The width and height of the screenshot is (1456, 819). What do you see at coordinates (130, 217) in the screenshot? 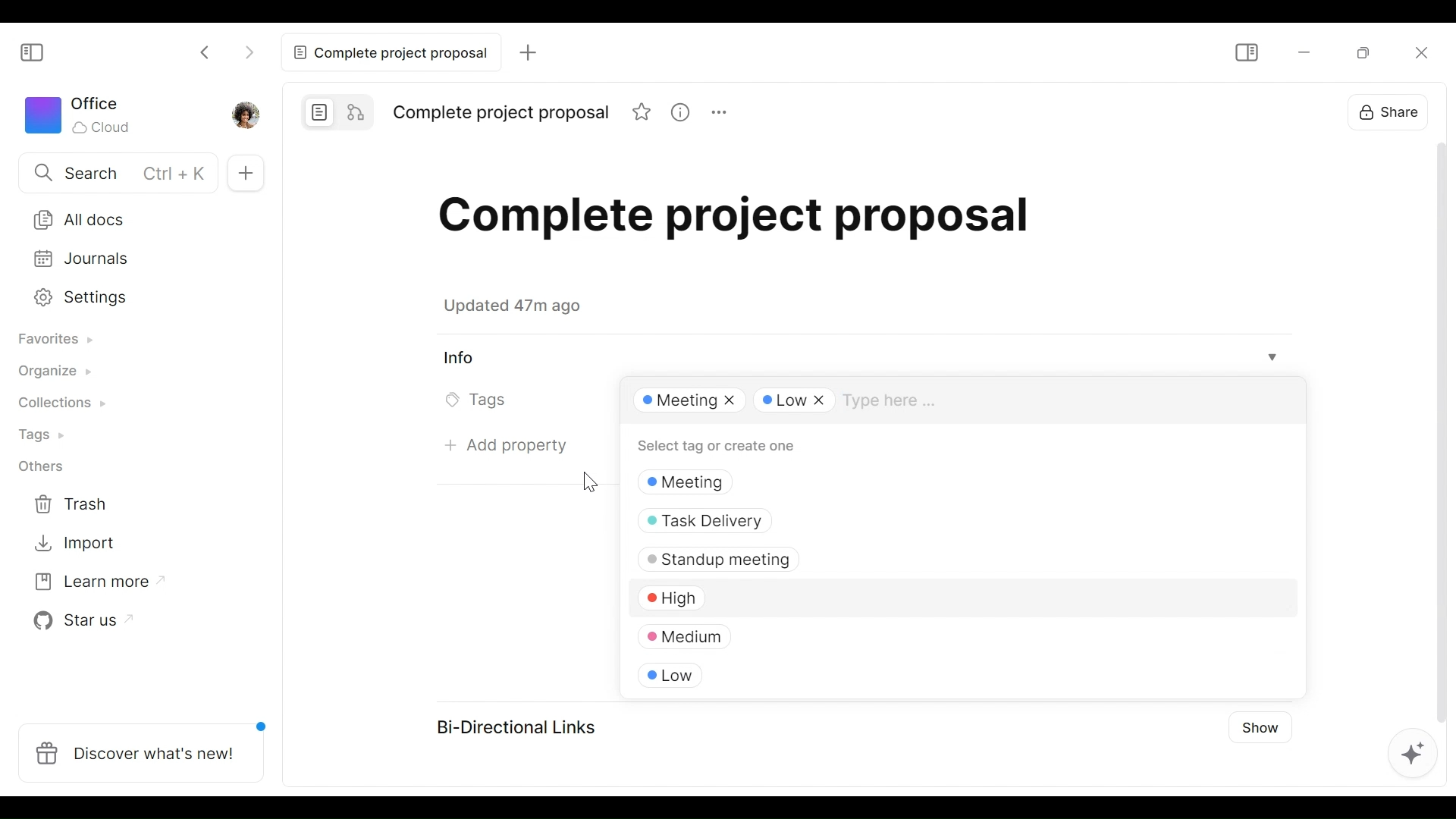
I see `All documents` at bounding box center [130, 217].